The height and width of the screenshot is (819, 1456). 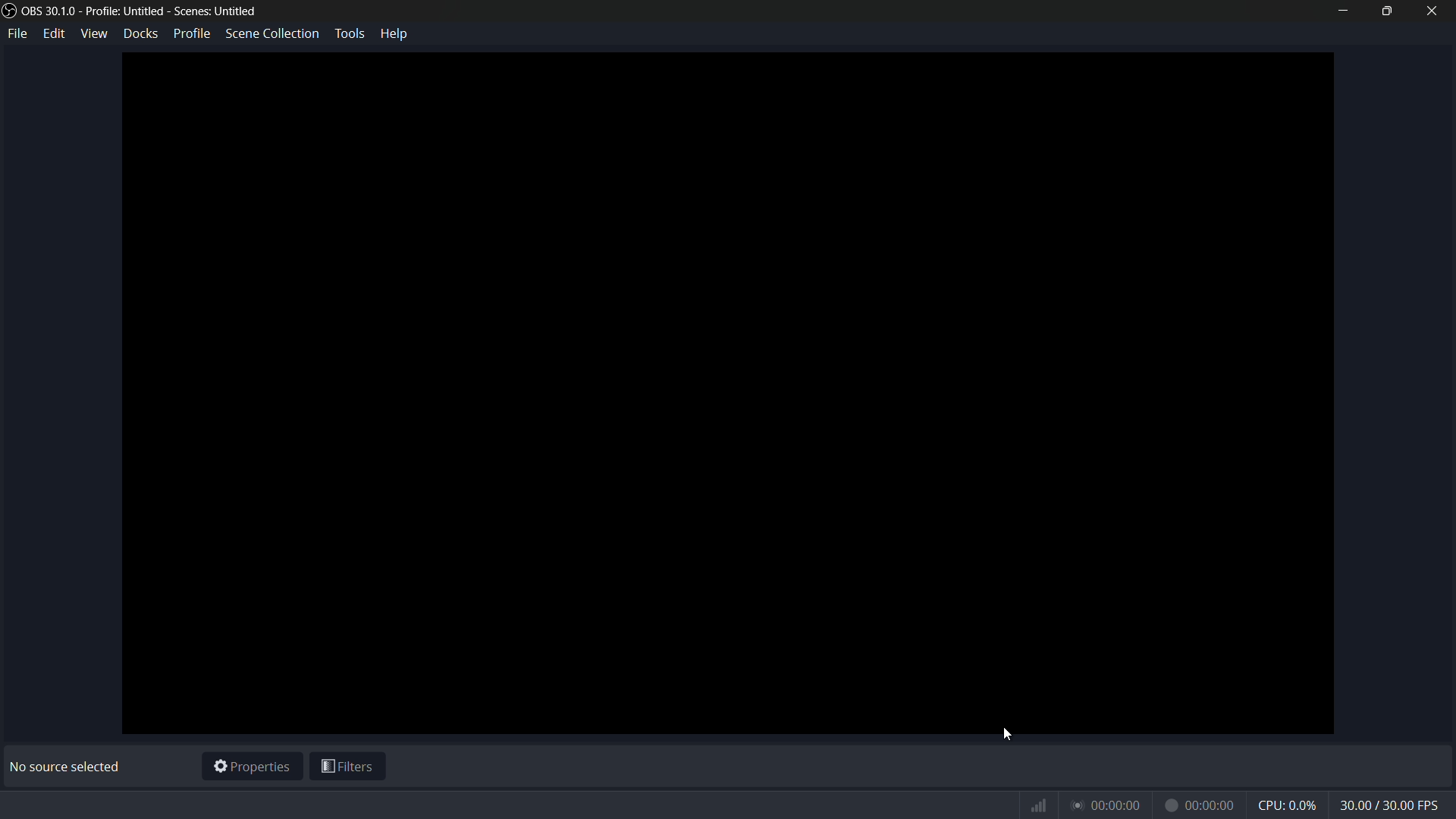 I want to click on help menu, so click(x=396, y=33).